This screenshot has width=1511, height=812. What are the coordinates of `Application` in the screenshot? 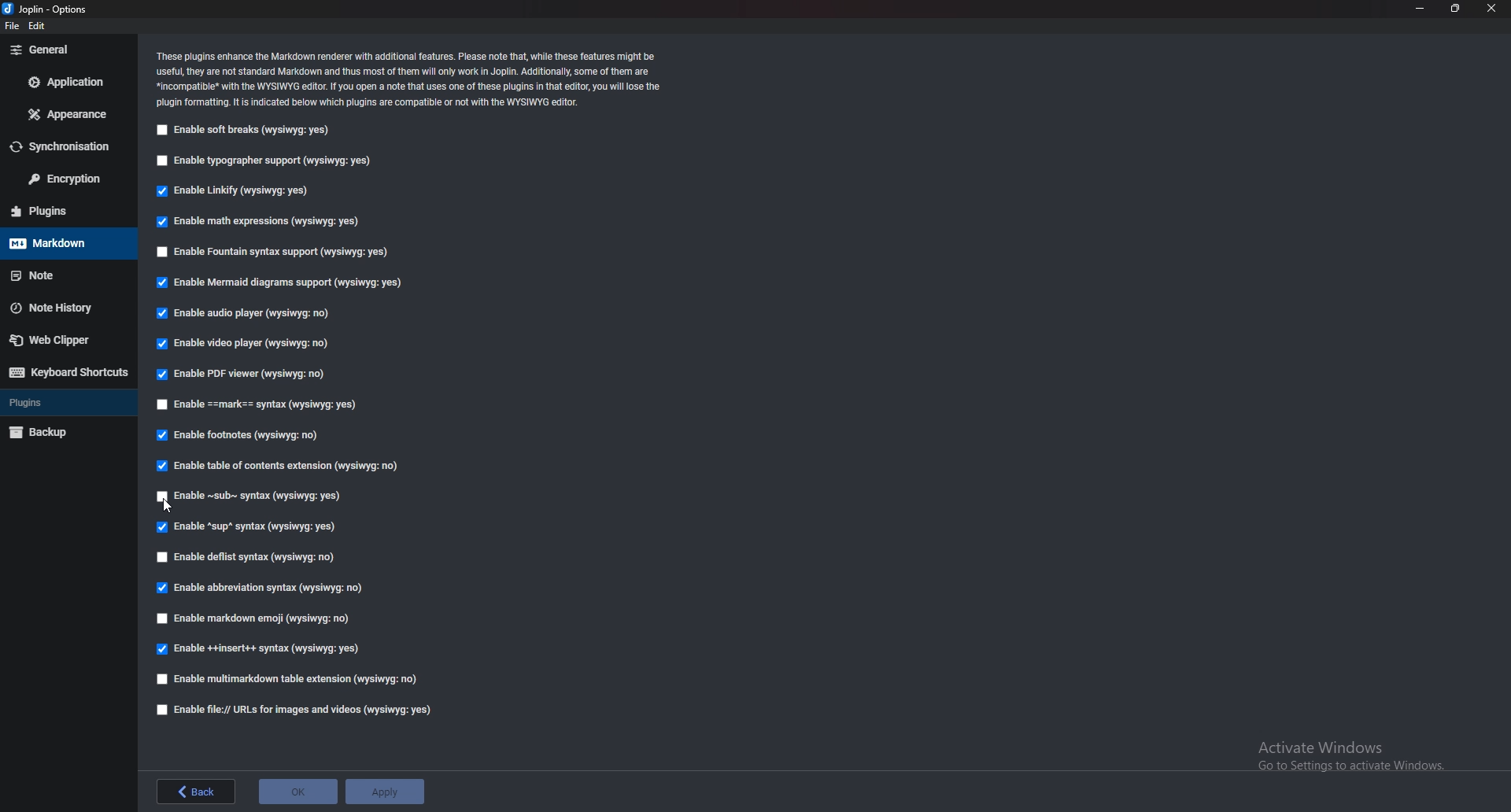 It's located at (72, 82).